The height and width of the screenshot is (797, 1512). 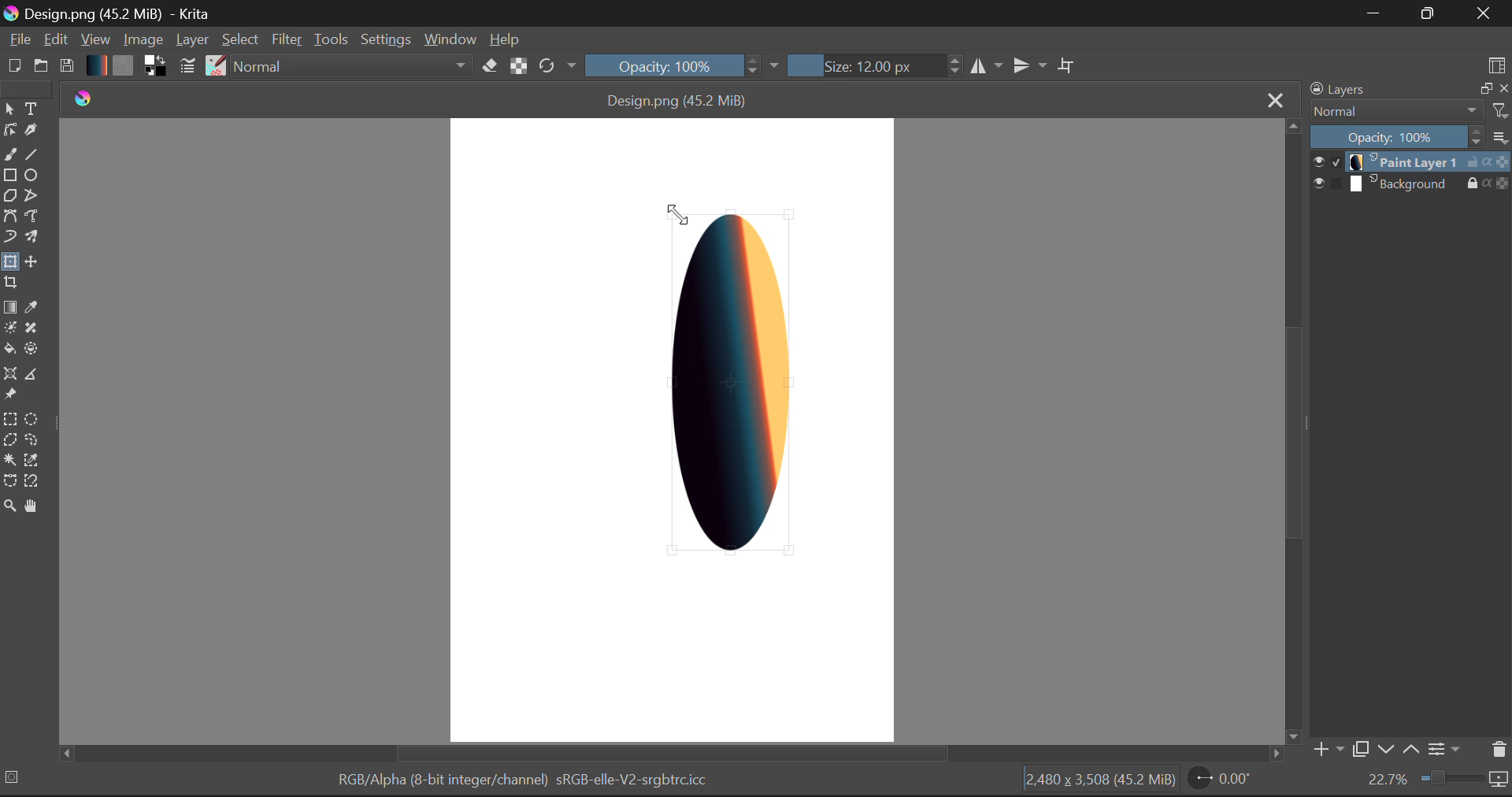 I want to click on Circular Selection, so click(x=30, y=418).